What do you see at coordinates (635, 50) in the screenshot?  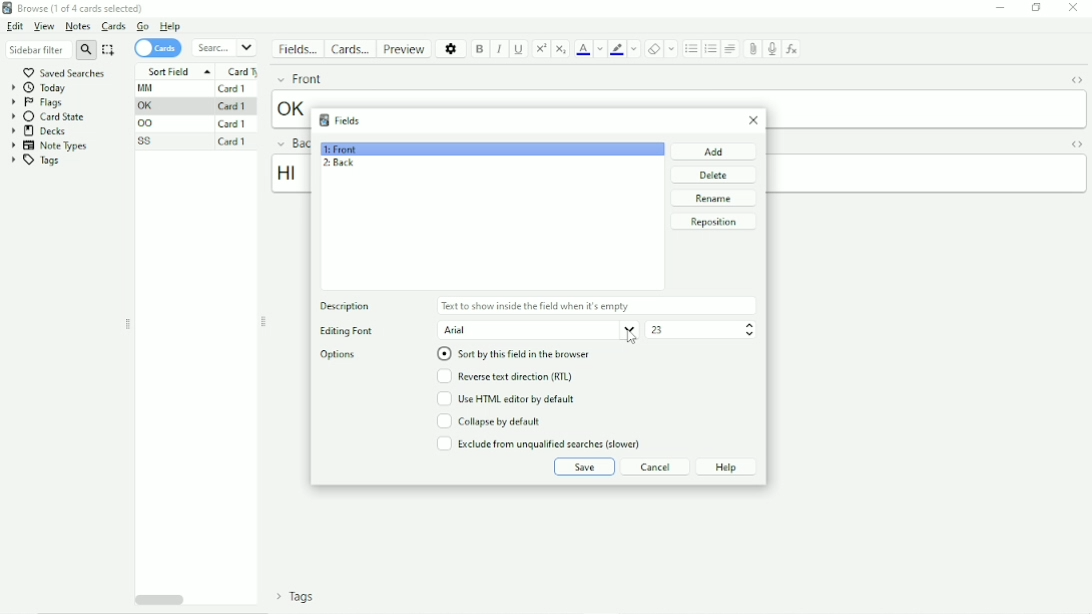 I see `Change color` at bounding box center [635, 50].